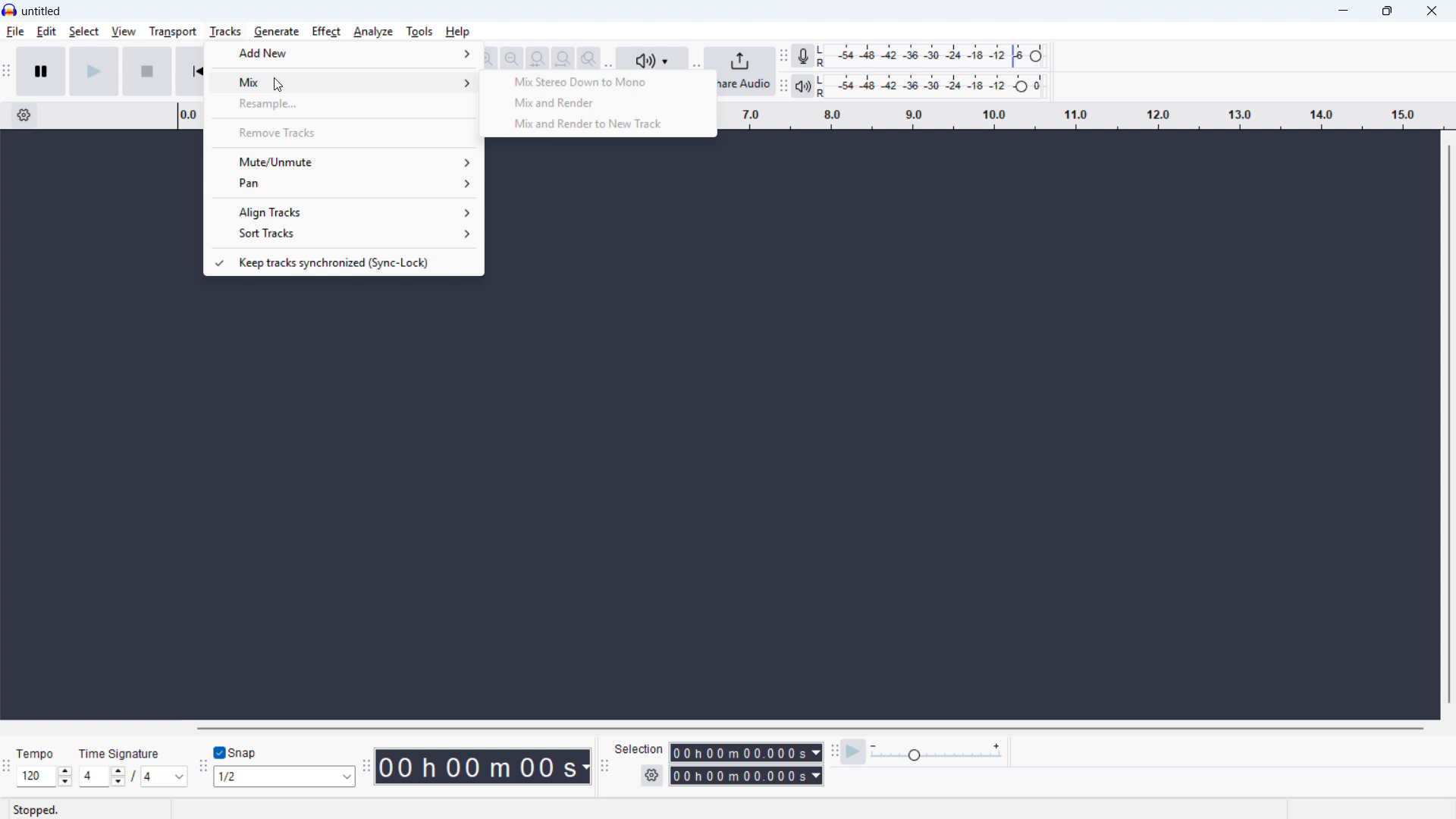  Describe the element at coordinates (929, 57) in the screenshot. I see `Recording level` at that location.